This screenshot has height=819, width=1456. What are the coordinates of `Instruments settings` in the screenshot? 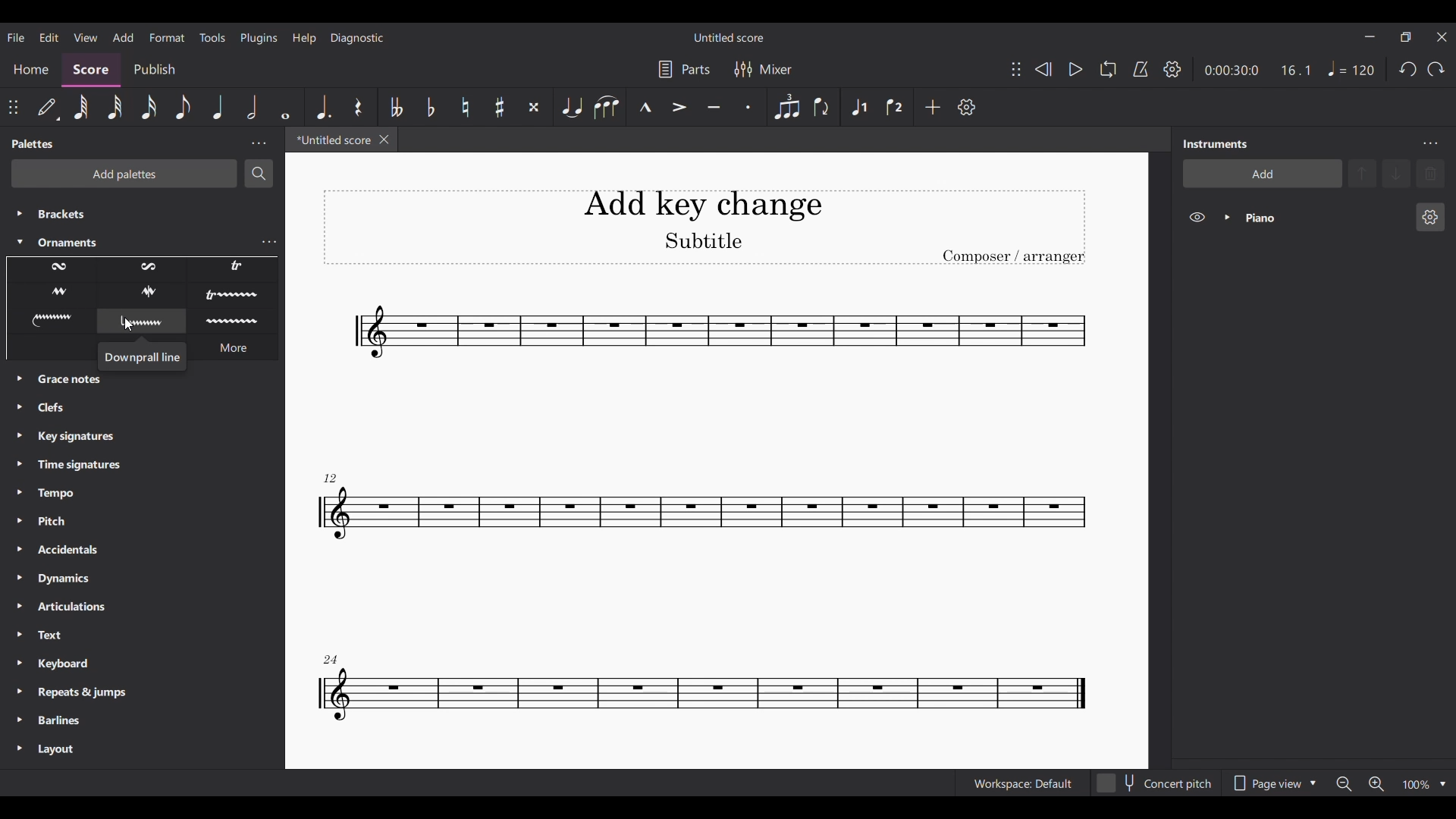 It's located at (1431, 144).